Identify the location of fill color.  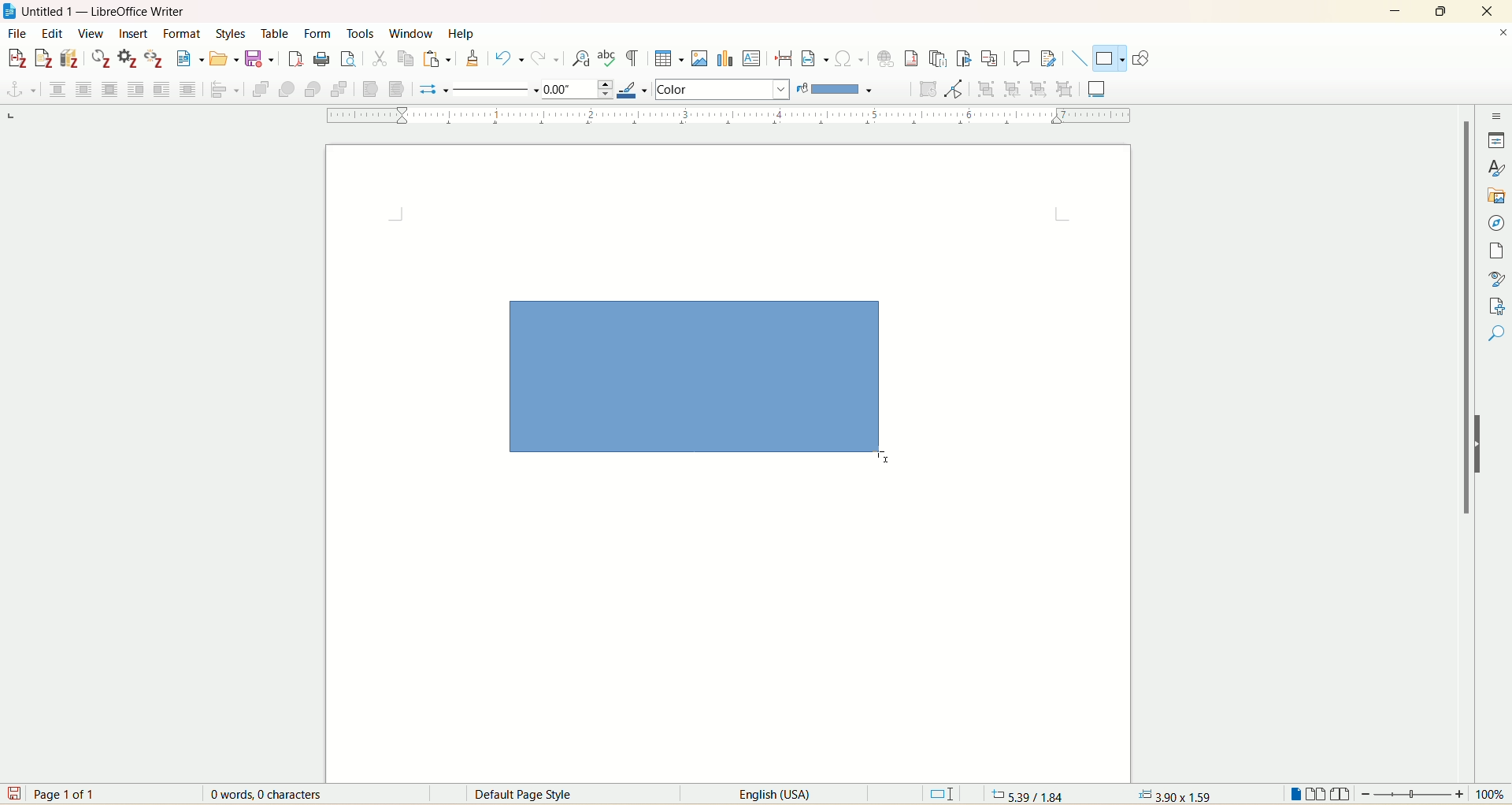
(839, 89).